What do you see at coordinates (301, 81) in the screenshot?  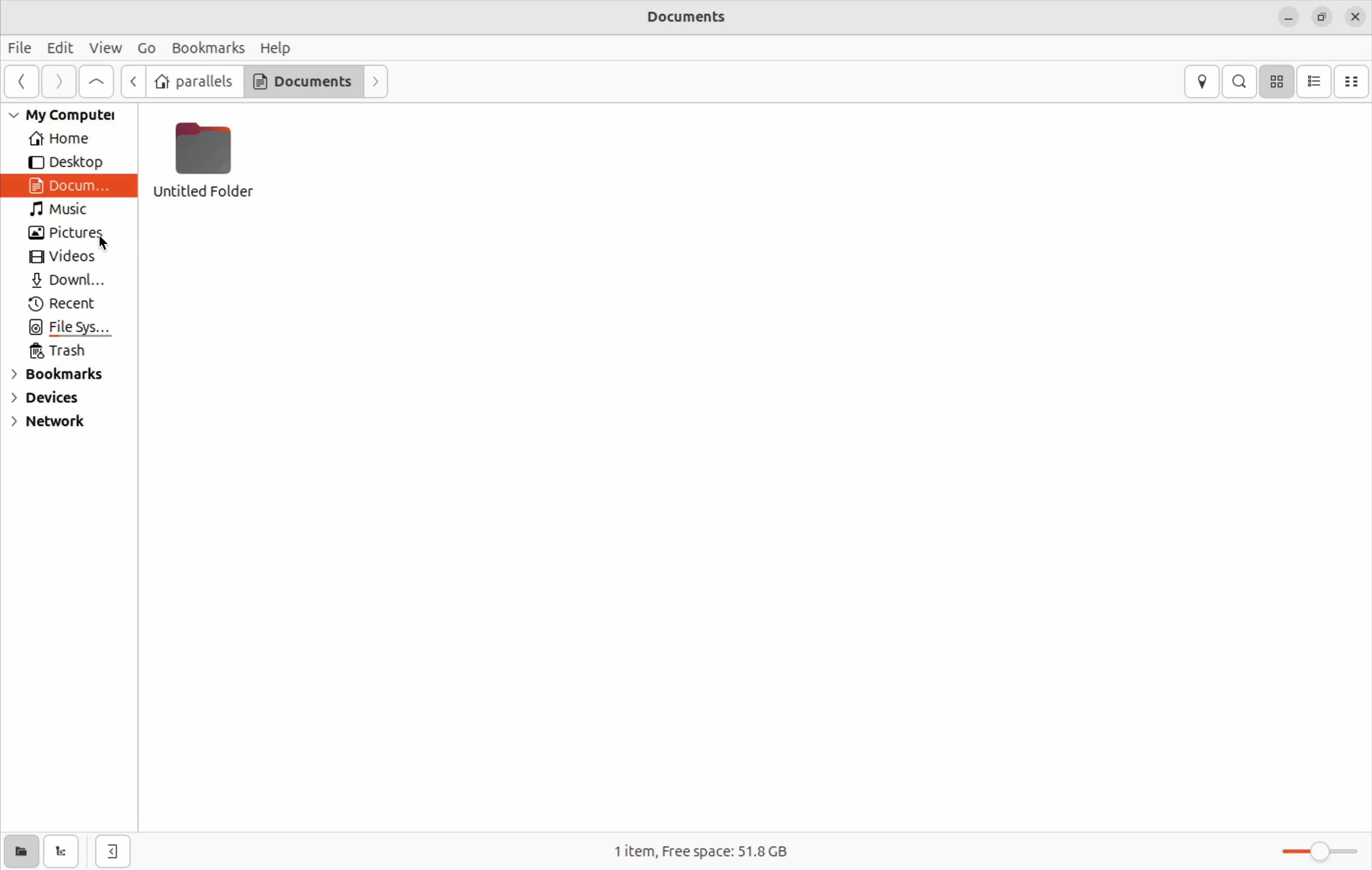 I see `Documents` at bounding box center [301, 81].